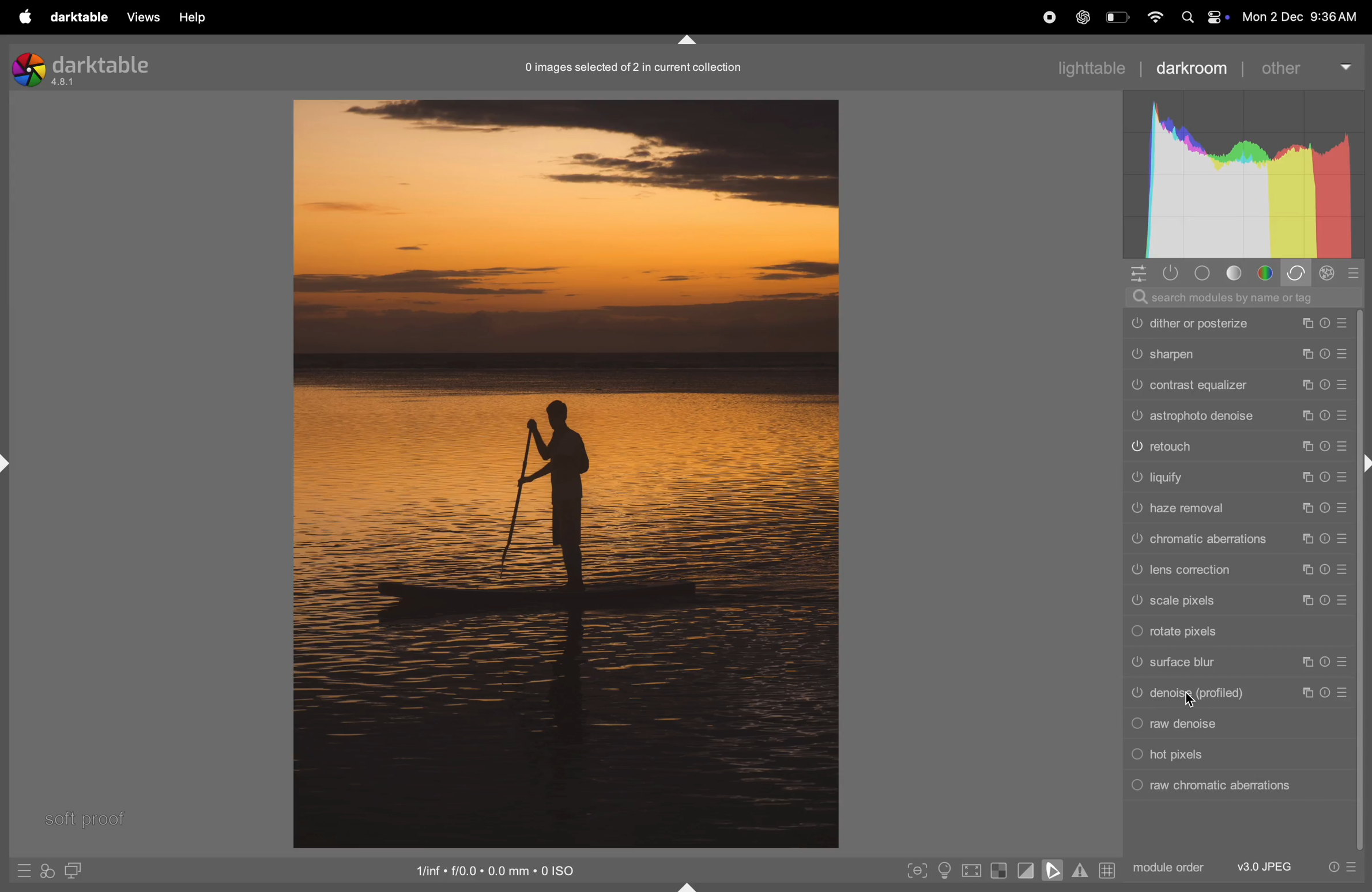 This screenshot has height=892, width=1372. Describe the element at coordinates (1240, 693) in the screenshot. I see `denoise profiled` at that location.